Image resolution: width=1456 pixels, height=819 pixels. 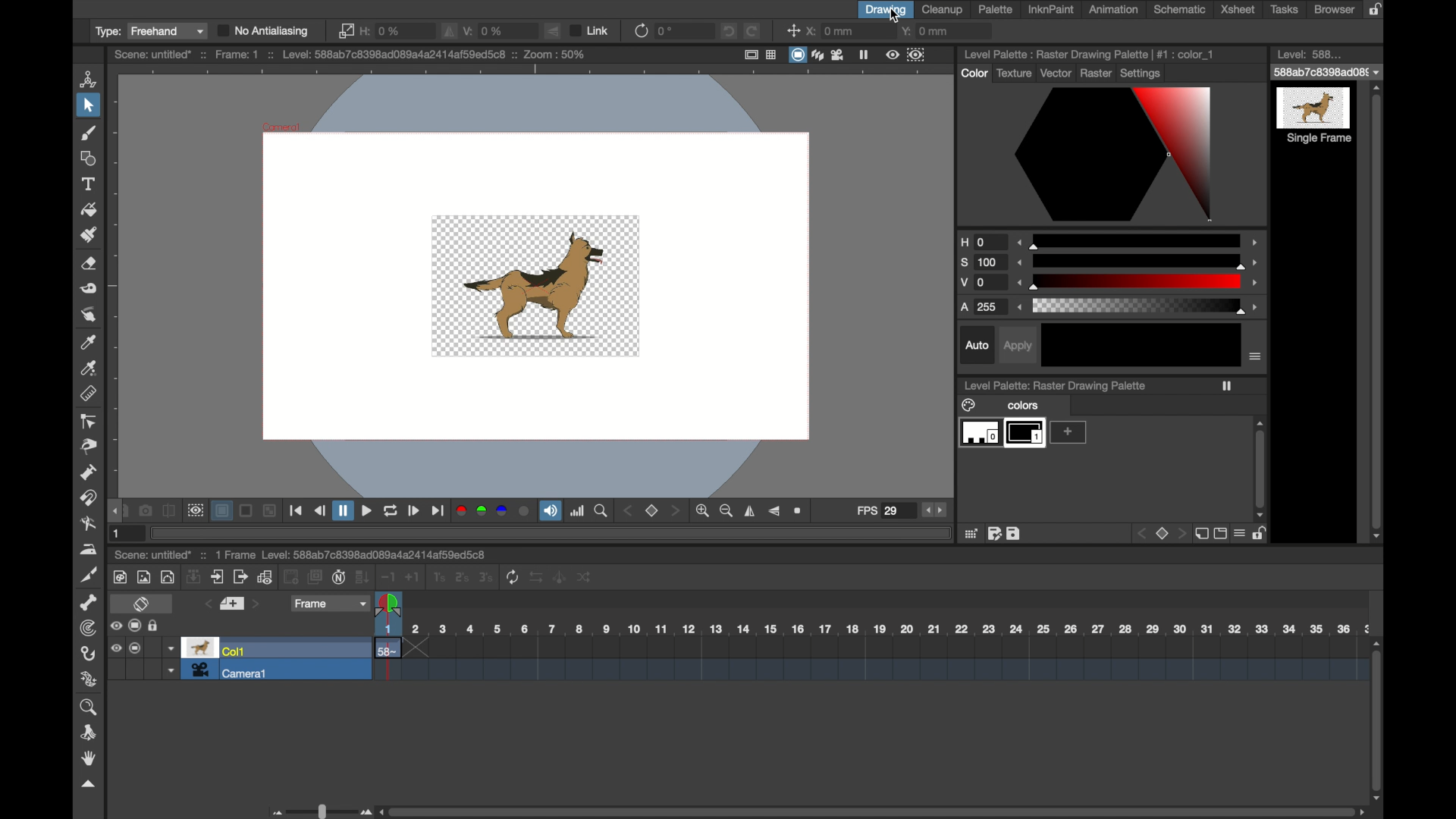 What do you see at coordinates (602, 511) in the screenshot?
I see `zoom` at bounding box center [602, 511].